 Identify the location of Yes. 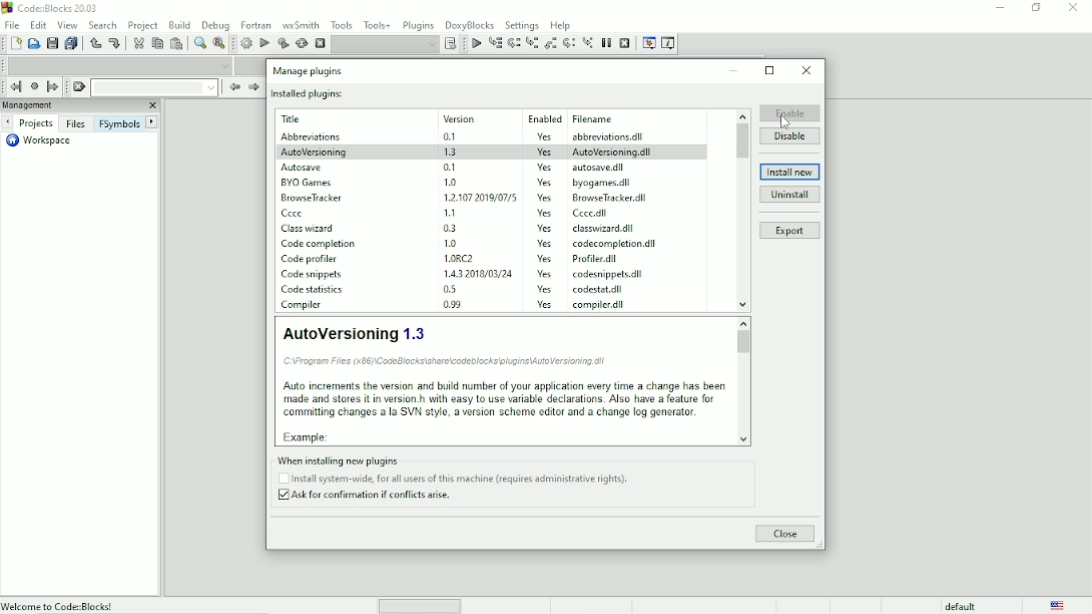
(547, 198).